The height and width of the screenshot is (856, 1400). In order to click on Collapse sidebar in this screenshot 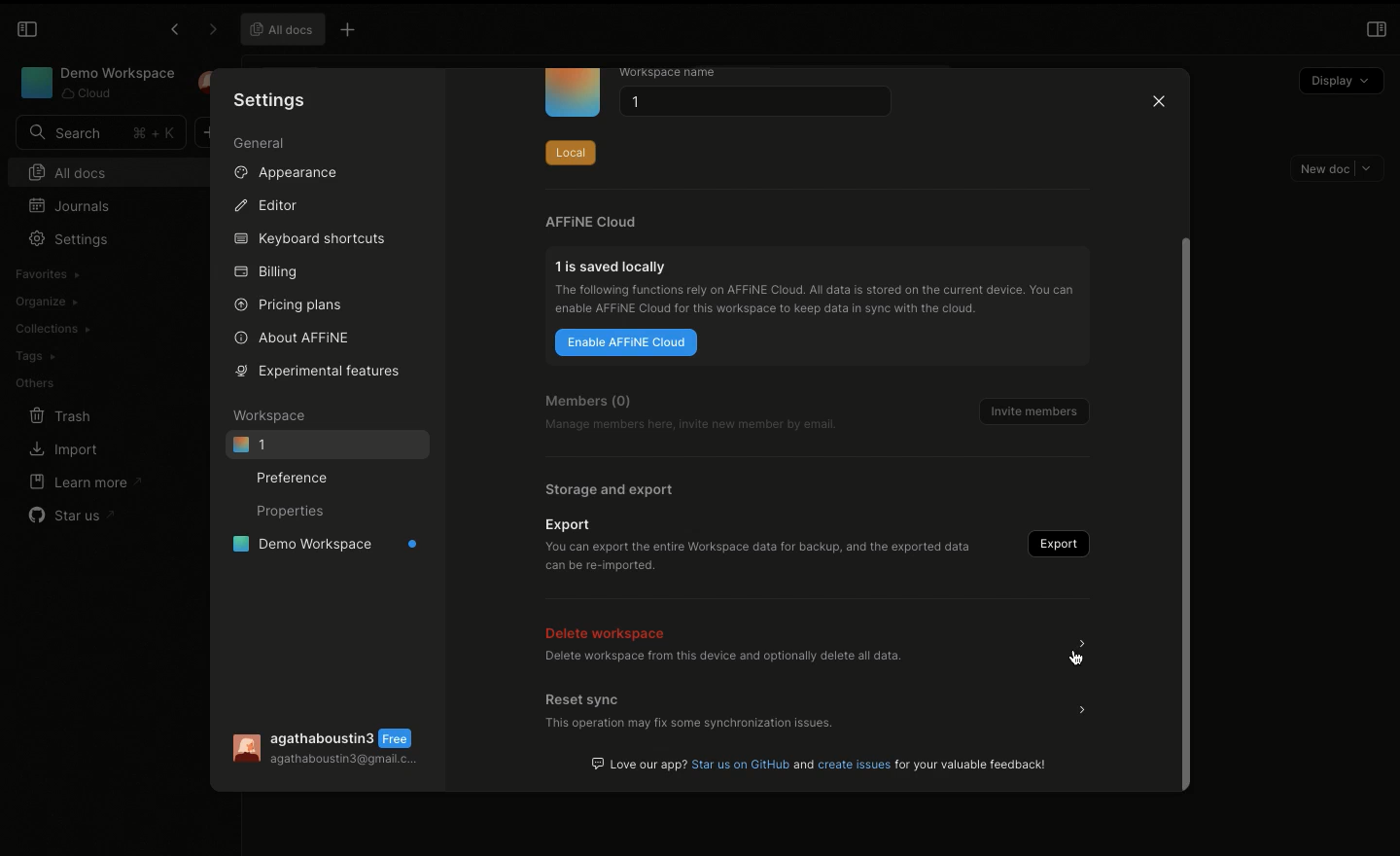, I will do `click(27, 29)`.